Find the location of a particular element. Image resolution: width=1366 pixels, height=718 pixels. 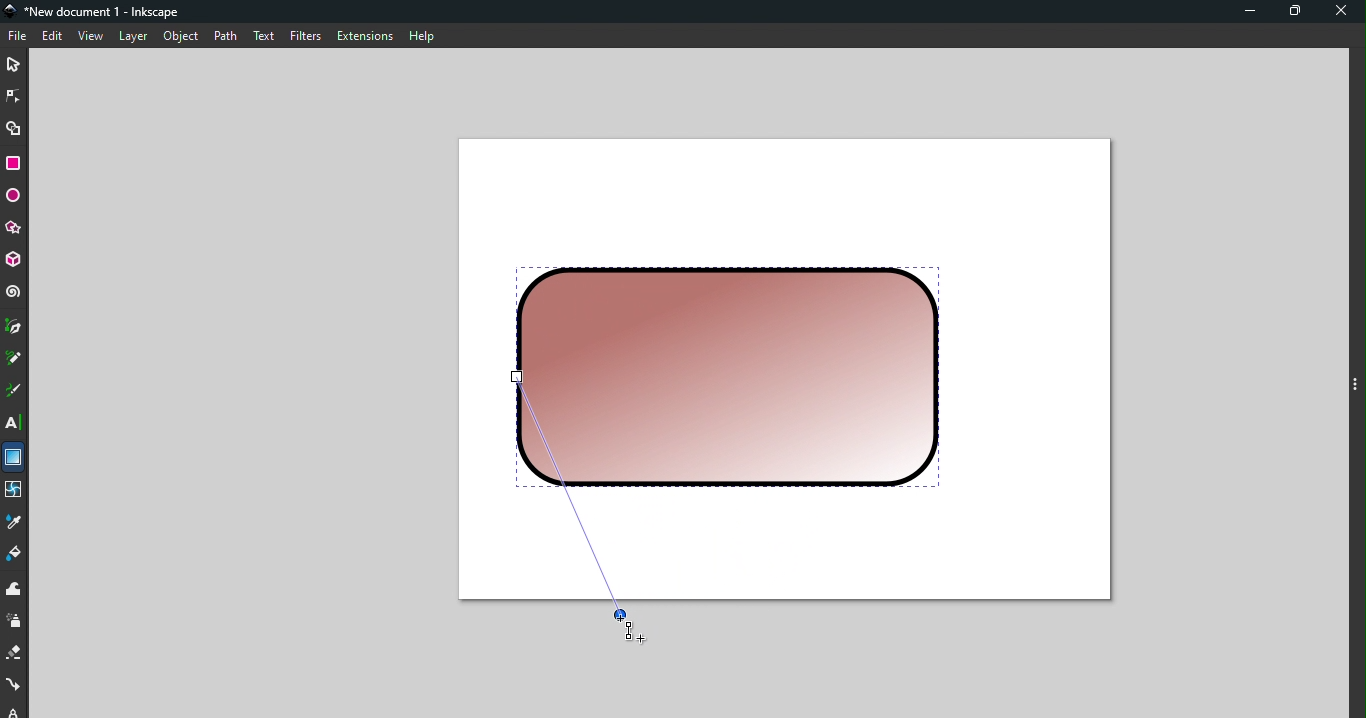

Dropper tool is located at coordinates (15, 523).